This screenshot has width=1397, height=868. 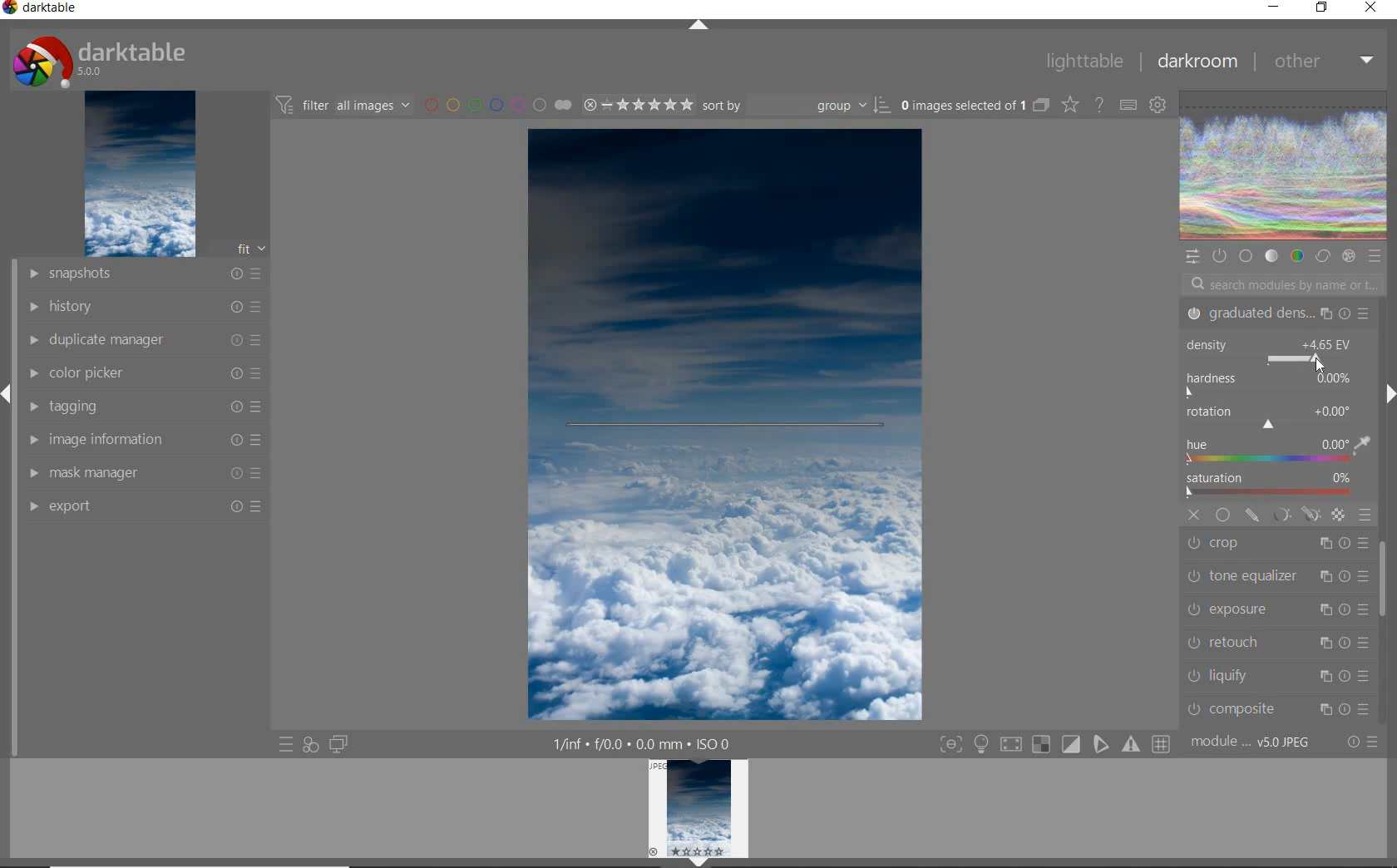 What do you see at coordinates (961, 104) in the screenshot?
I see `0 images selected of` at bounding box center [961, 104].